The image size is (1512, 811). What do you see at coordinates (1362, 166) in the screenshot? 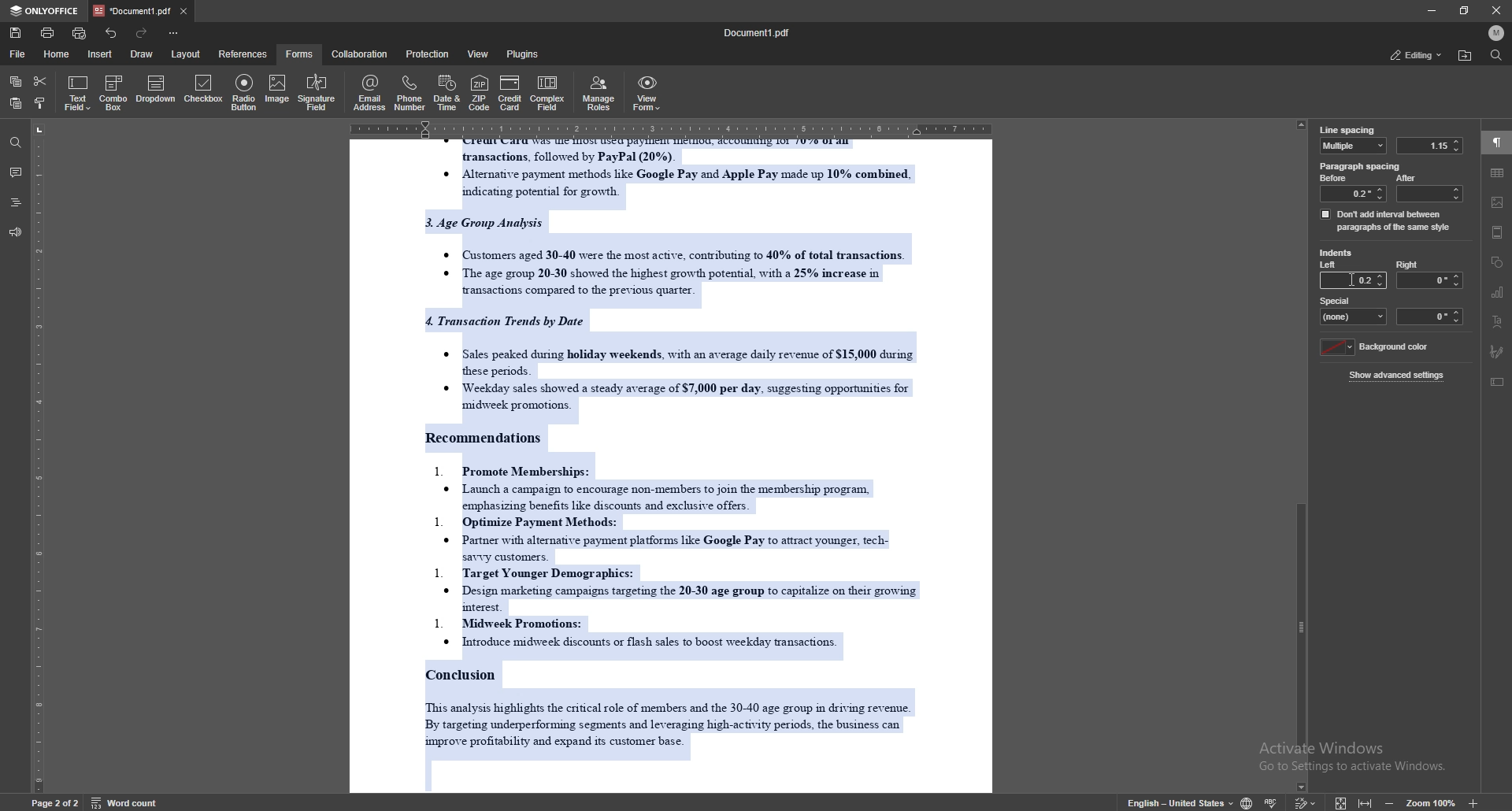
I see `paragraph spacing` at bounding box center [1362, 166].